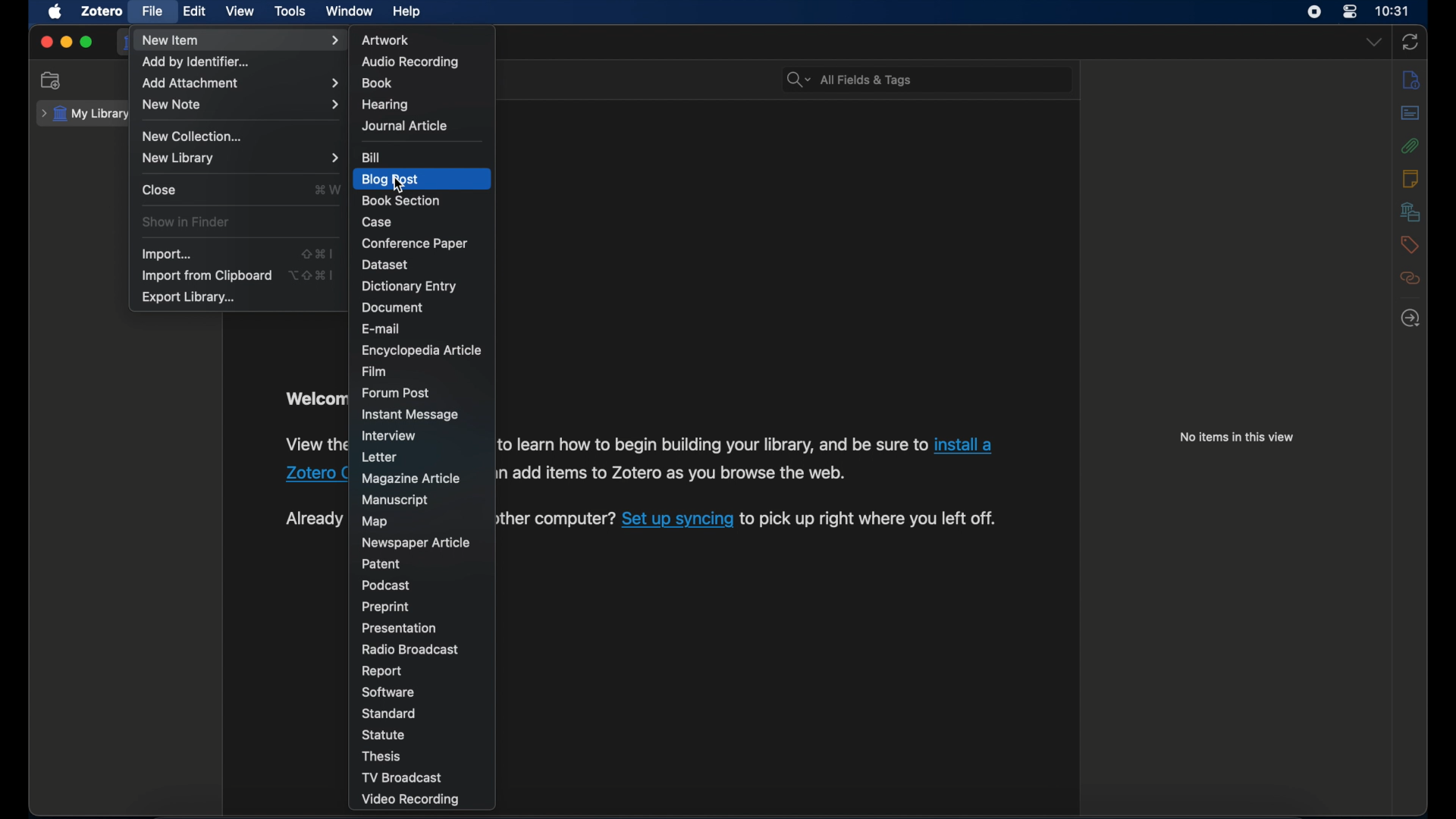 The height and width of the screenshot is (819, 1456). What do you see at coordinates (1411, 278) in the screenshot?
I see `related` at bounding box center [1411, 278].